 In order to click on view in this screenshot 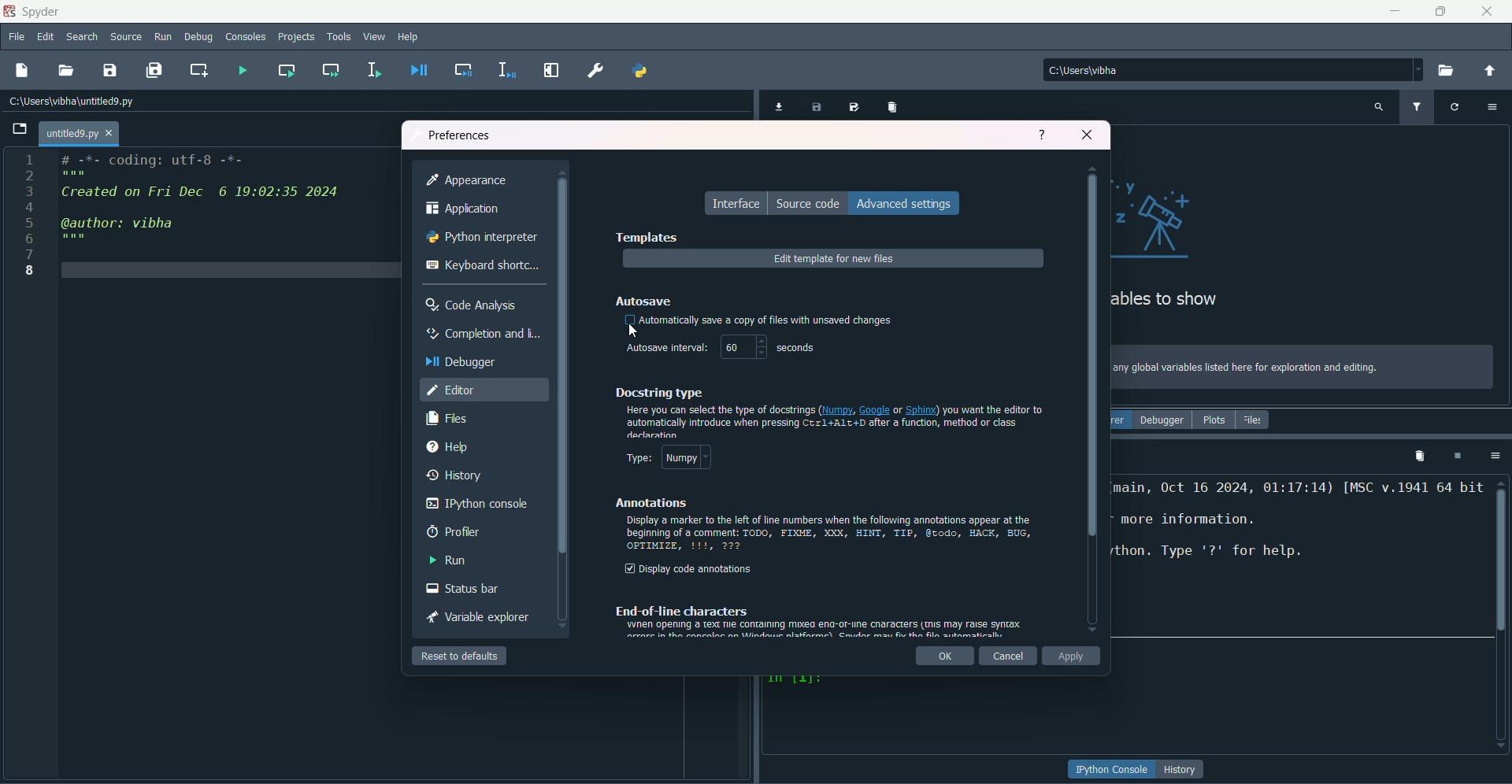, I will do `click(376, 36)`.